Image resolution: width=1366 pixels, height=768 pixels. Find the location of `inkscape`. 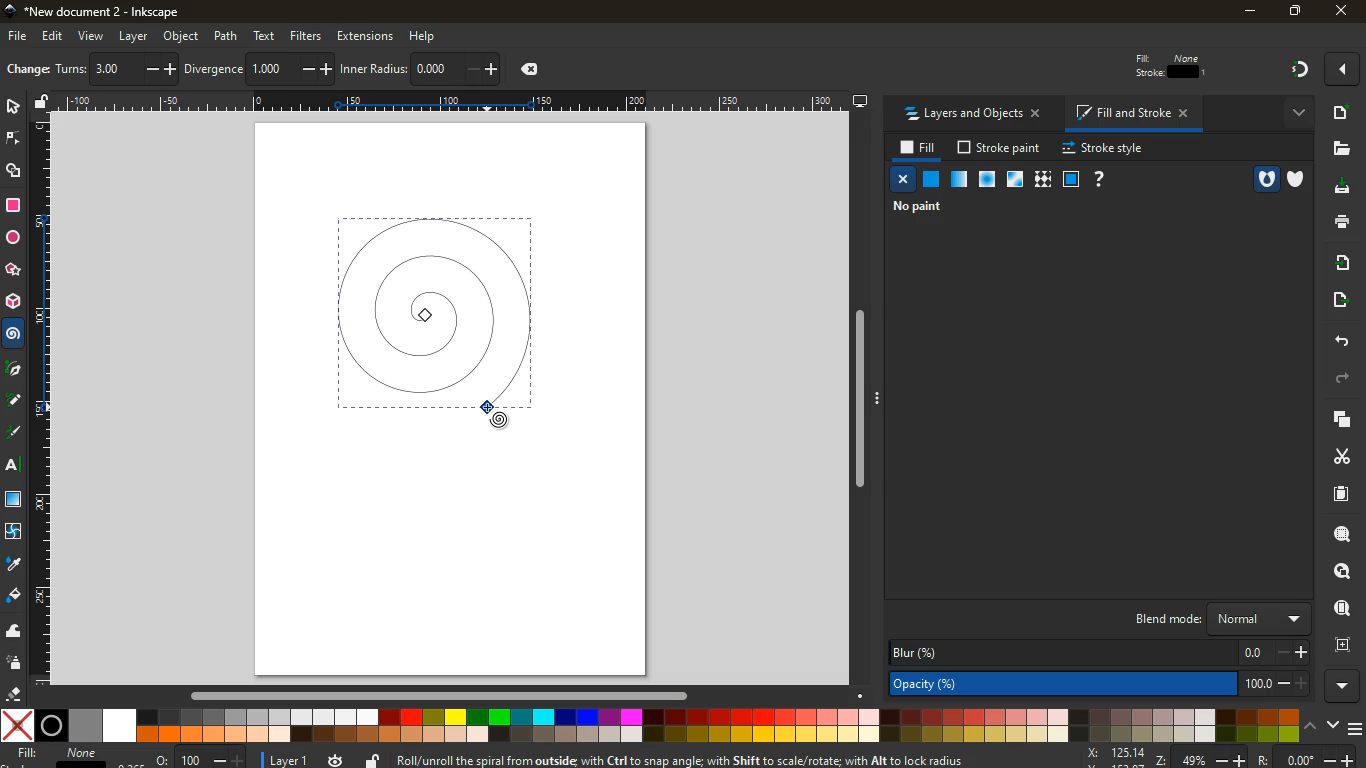

inkscape is located at coordinates (109, 12).